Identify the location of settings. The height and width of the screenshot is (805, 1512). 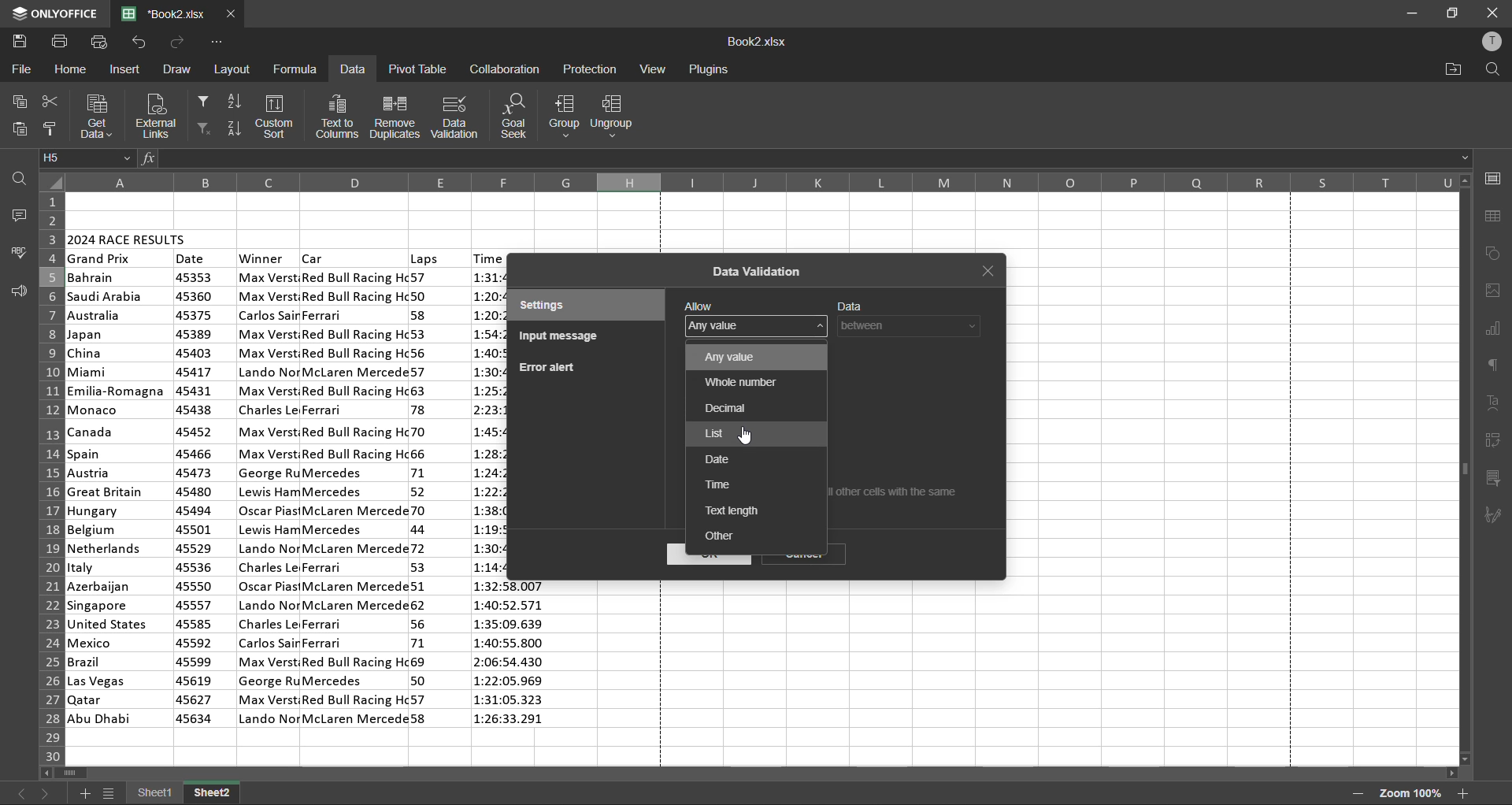
(569, 306).